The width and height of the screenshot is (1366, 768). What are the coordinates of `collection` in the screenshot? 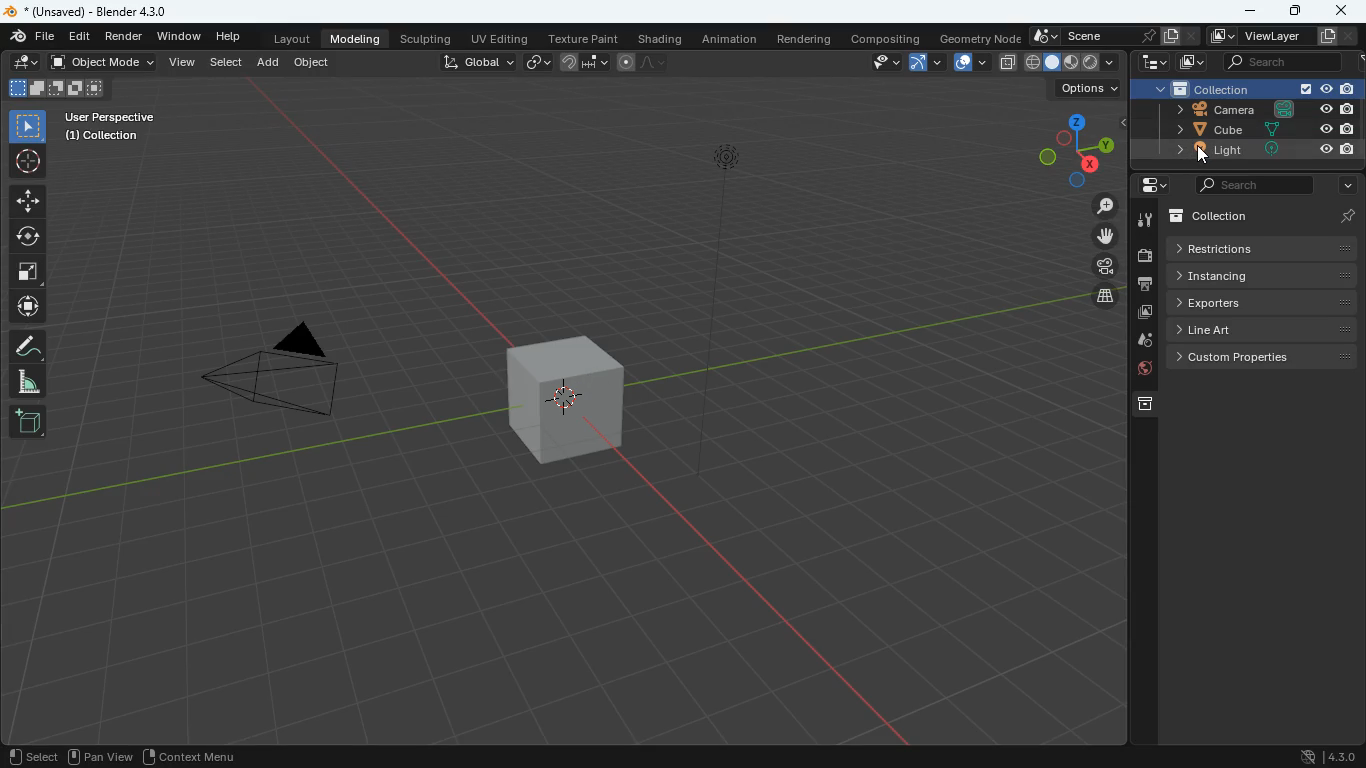 It's located at (1265, 217).